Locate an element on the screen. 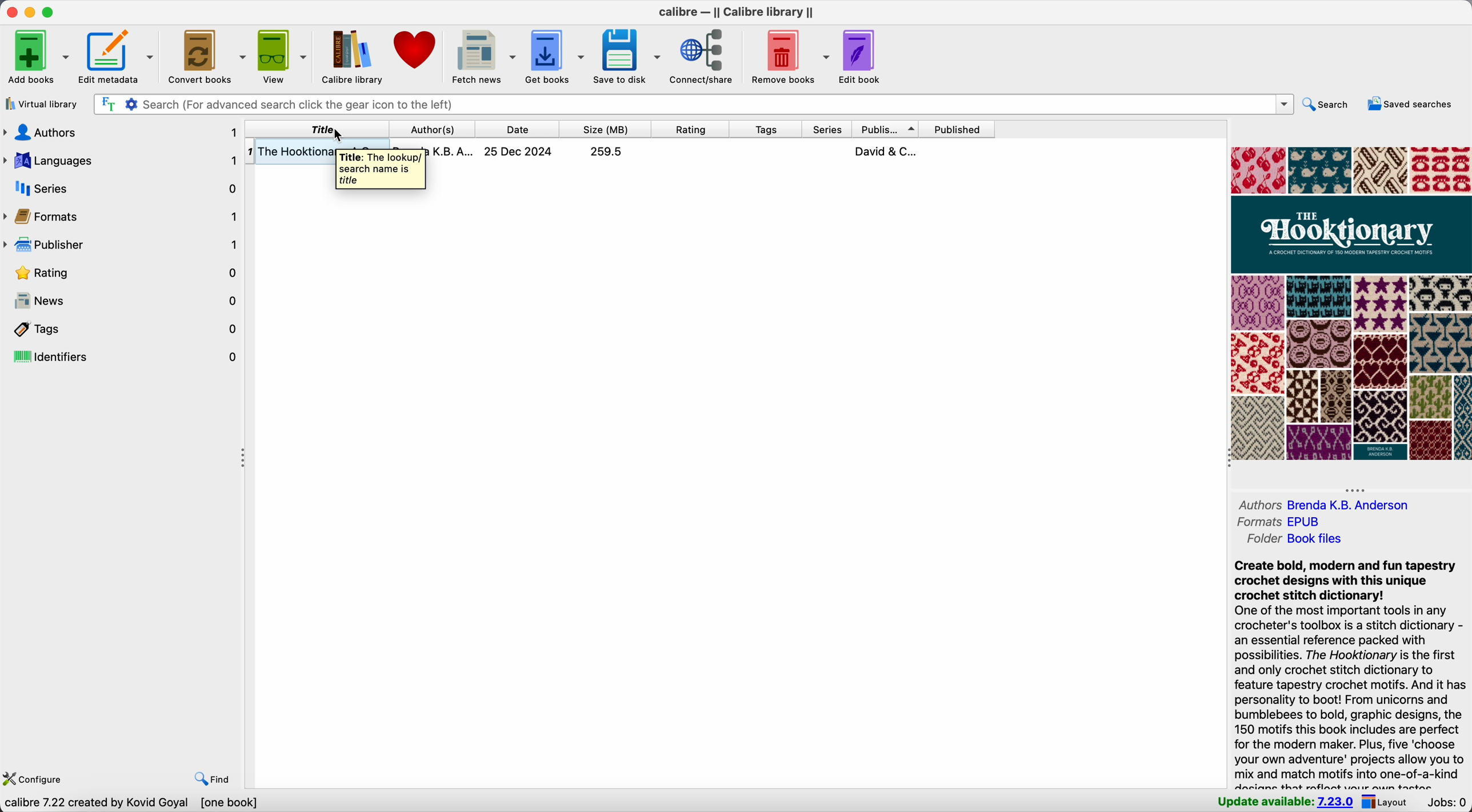 The width and height of the screenshot is (1472, 812). languages is located at coordinates (121, 161).